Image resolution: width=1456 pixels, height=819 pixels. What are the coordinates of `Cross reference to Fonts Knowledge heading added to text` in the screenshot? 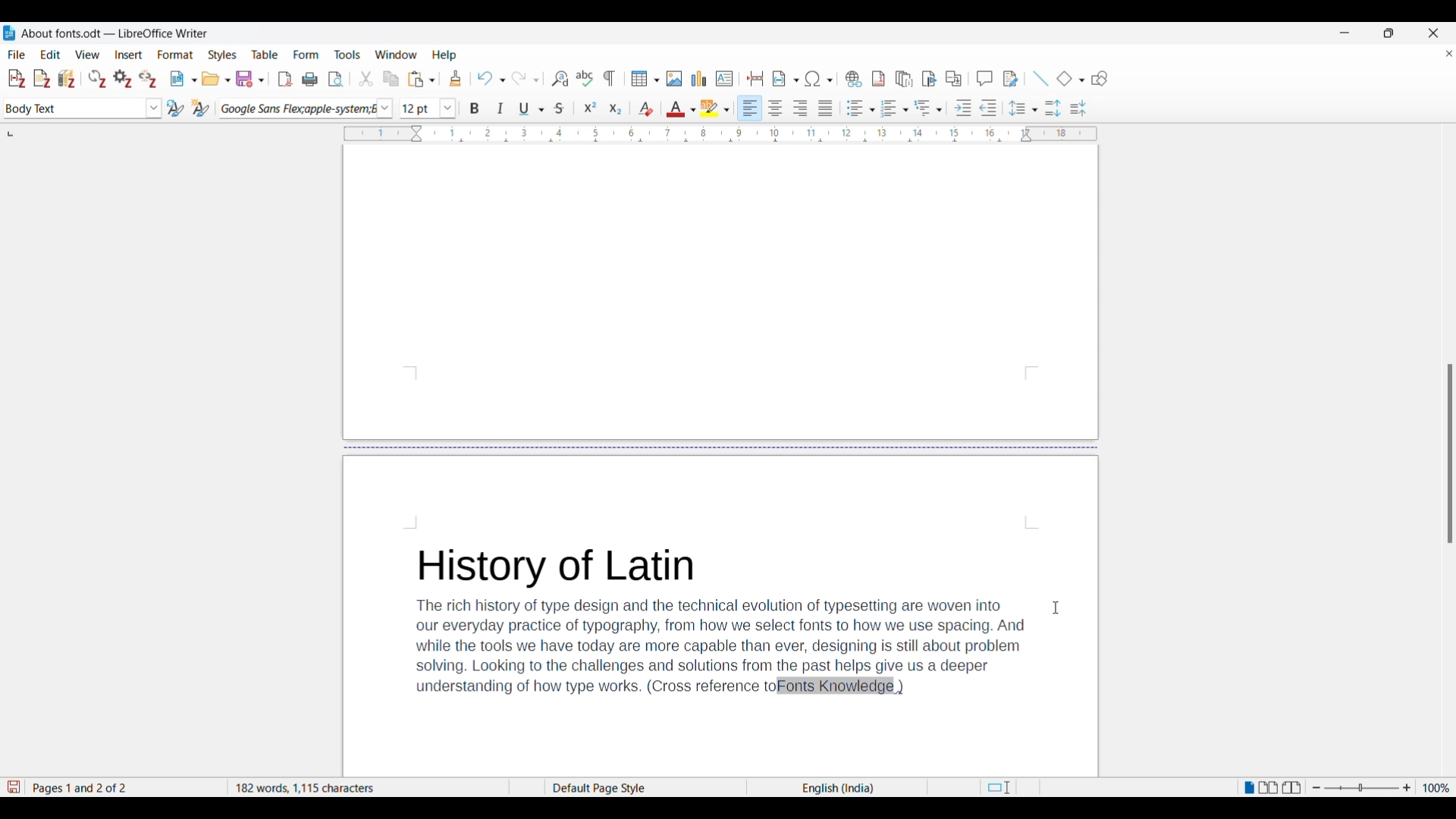 It's located at (721, 622).